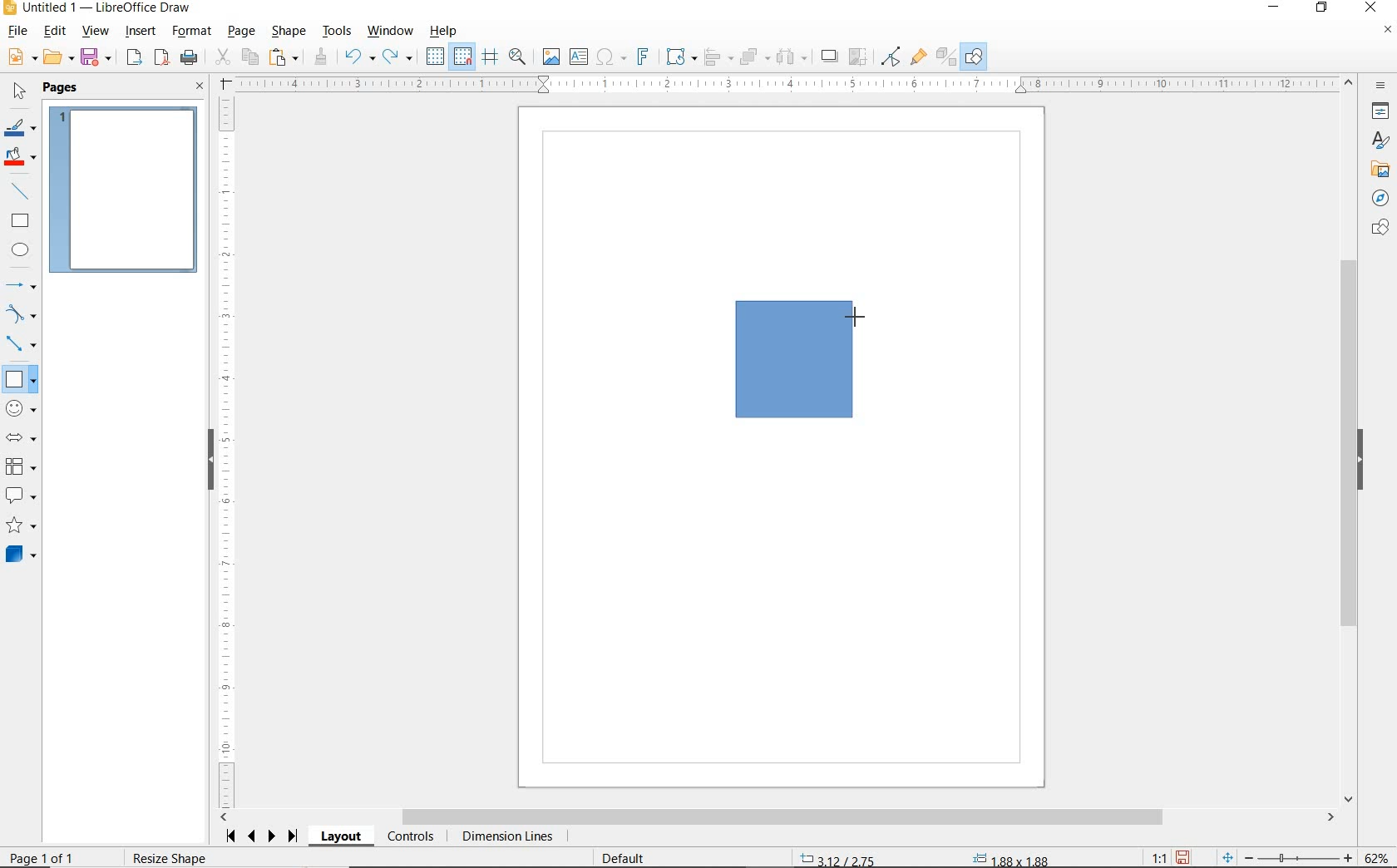  What do you see at coordinates (854, 314) in the screenshot?
I see `` at bounding box center [854, 314].